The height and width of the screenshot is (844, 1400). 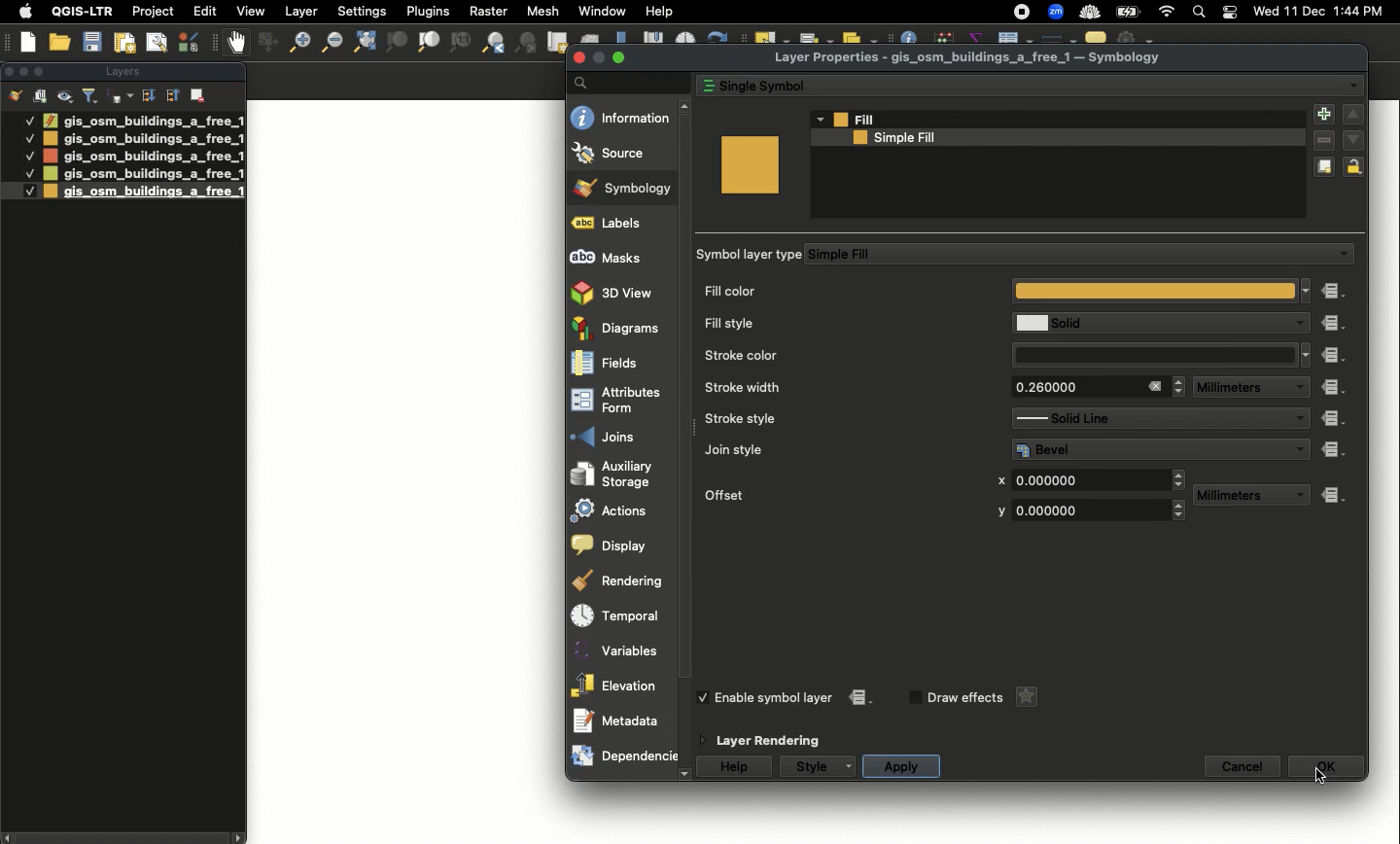 I want to click on vertical Scrollbar, so click(x=689, y=440).